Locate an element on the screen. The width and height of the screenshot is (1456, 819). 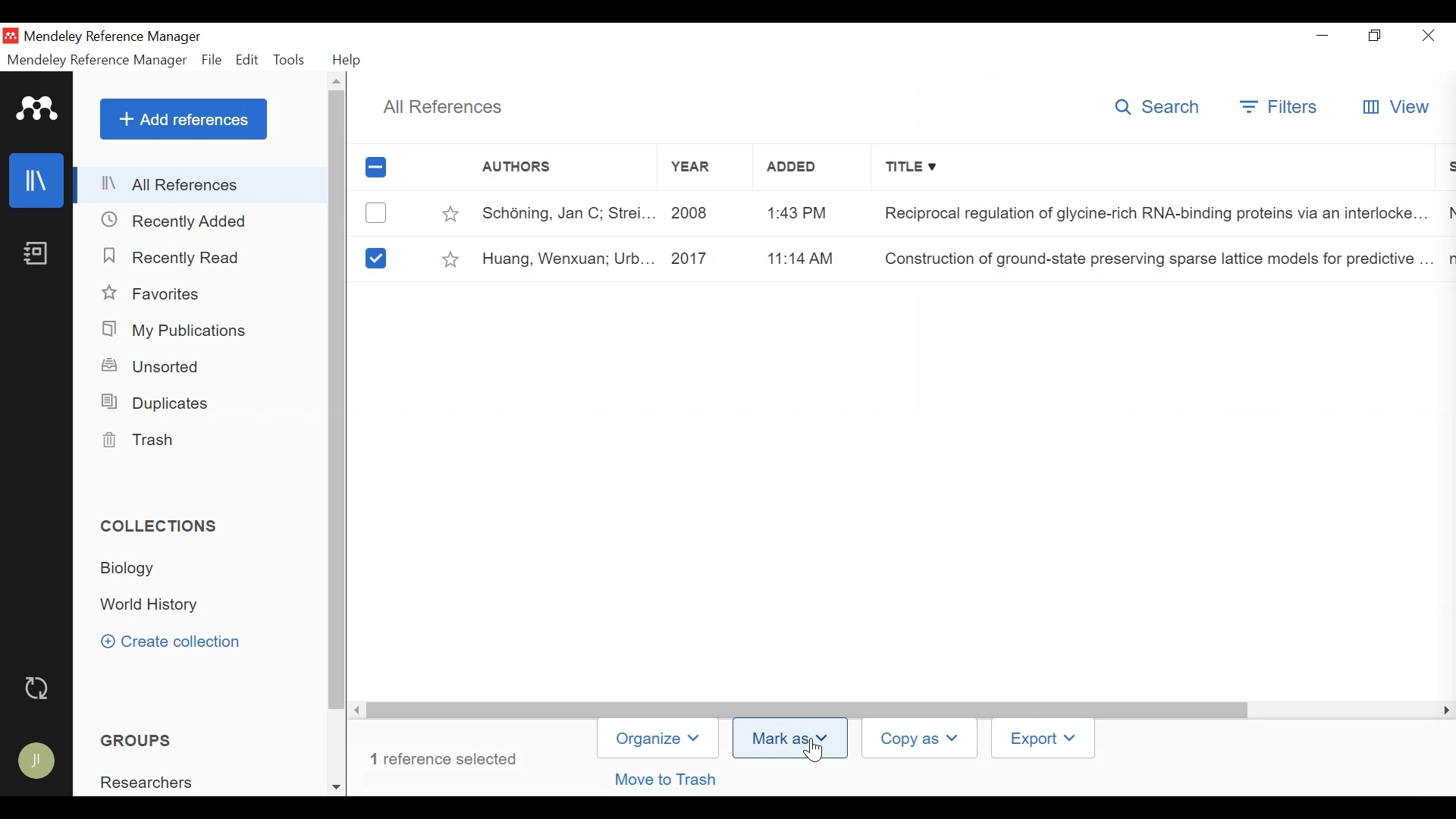
My Publications is located at coordinates (180, 331).